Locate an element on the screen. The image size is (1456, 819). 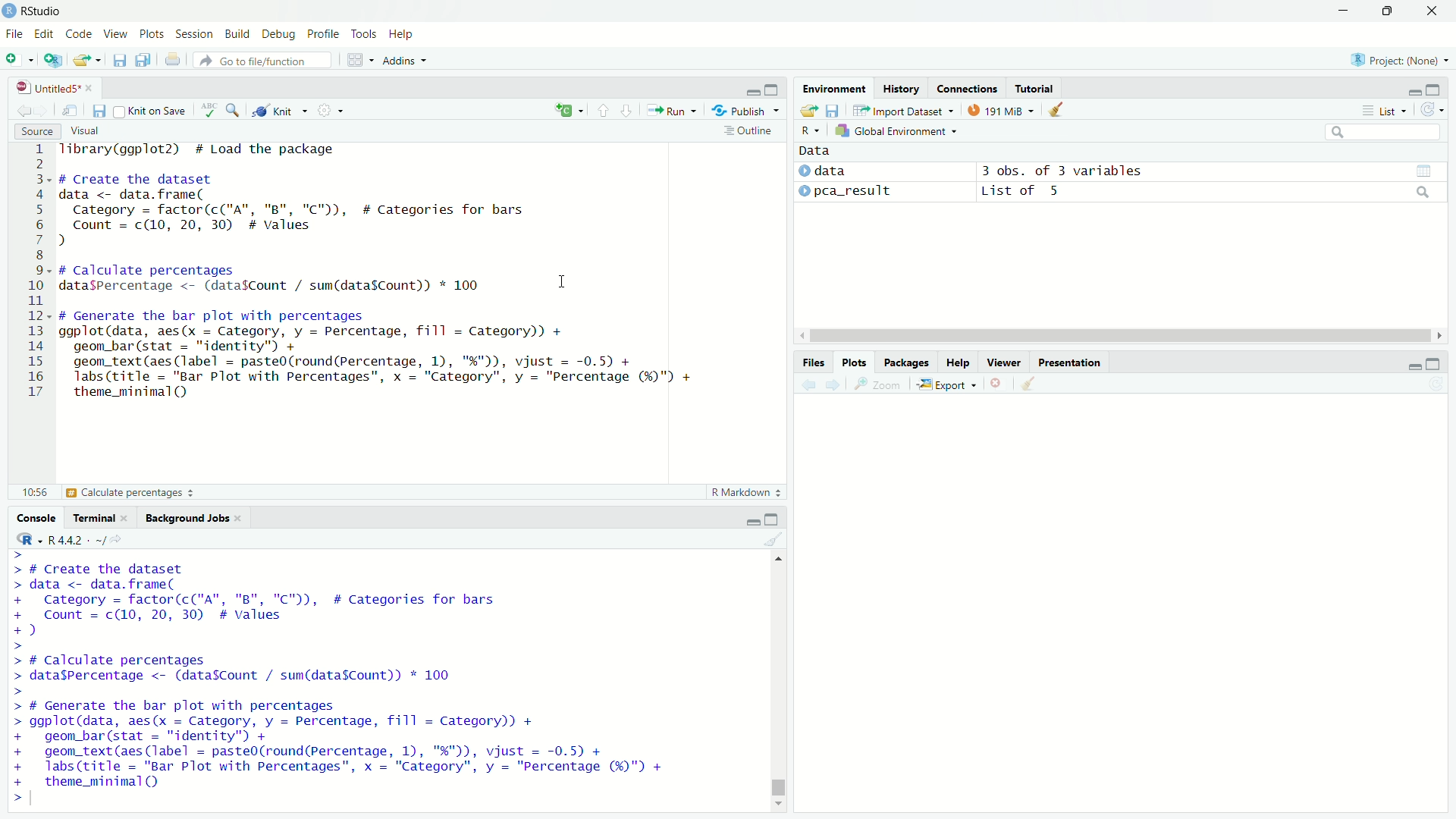
new project is located at coordinates (52, 61).